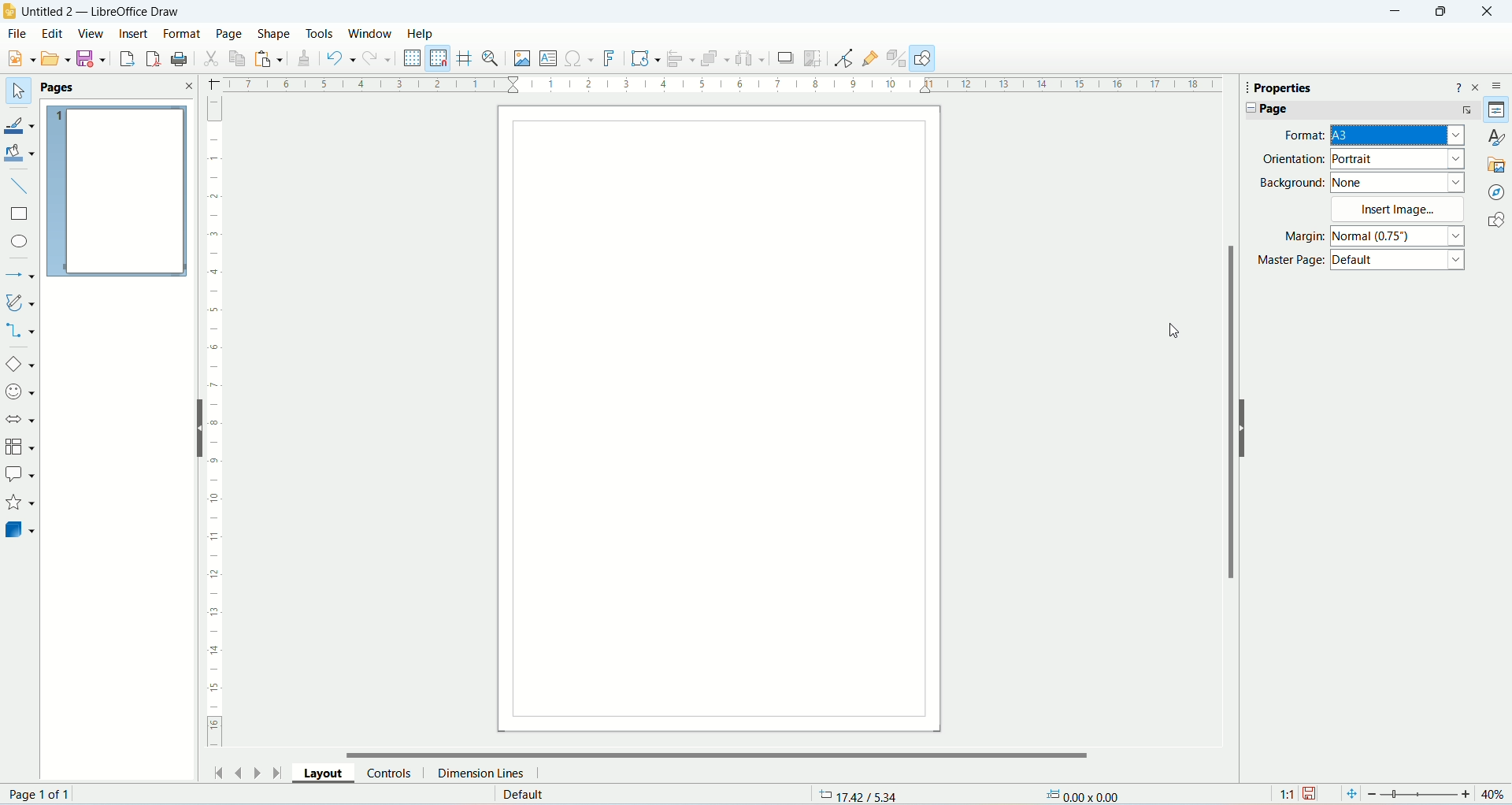 The height and width of the screenshot is (805, 1512). Describe the element at coordinates (492, 59) in the screenshot. I see `zoom and pan` at that location.